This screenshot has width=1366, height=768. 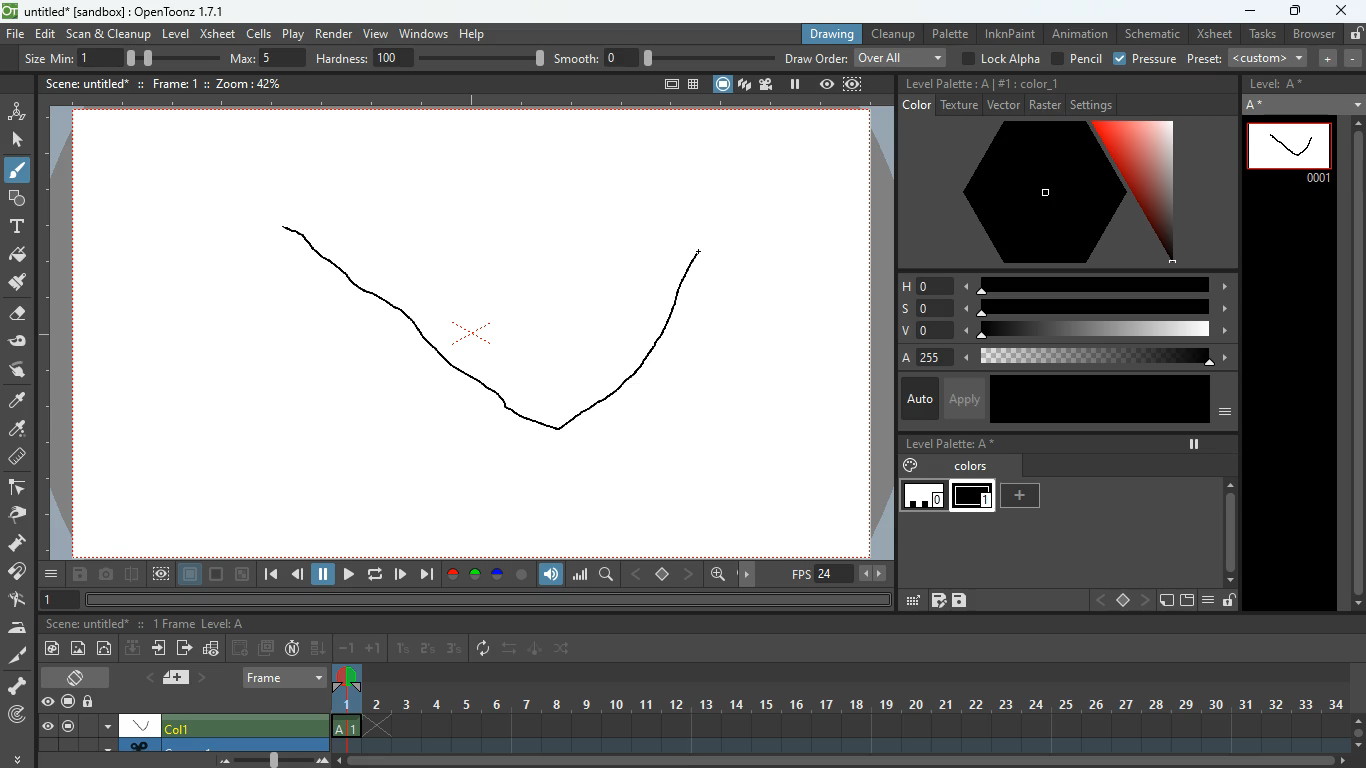 I want to click on browser, so click(x=1313, y=35).